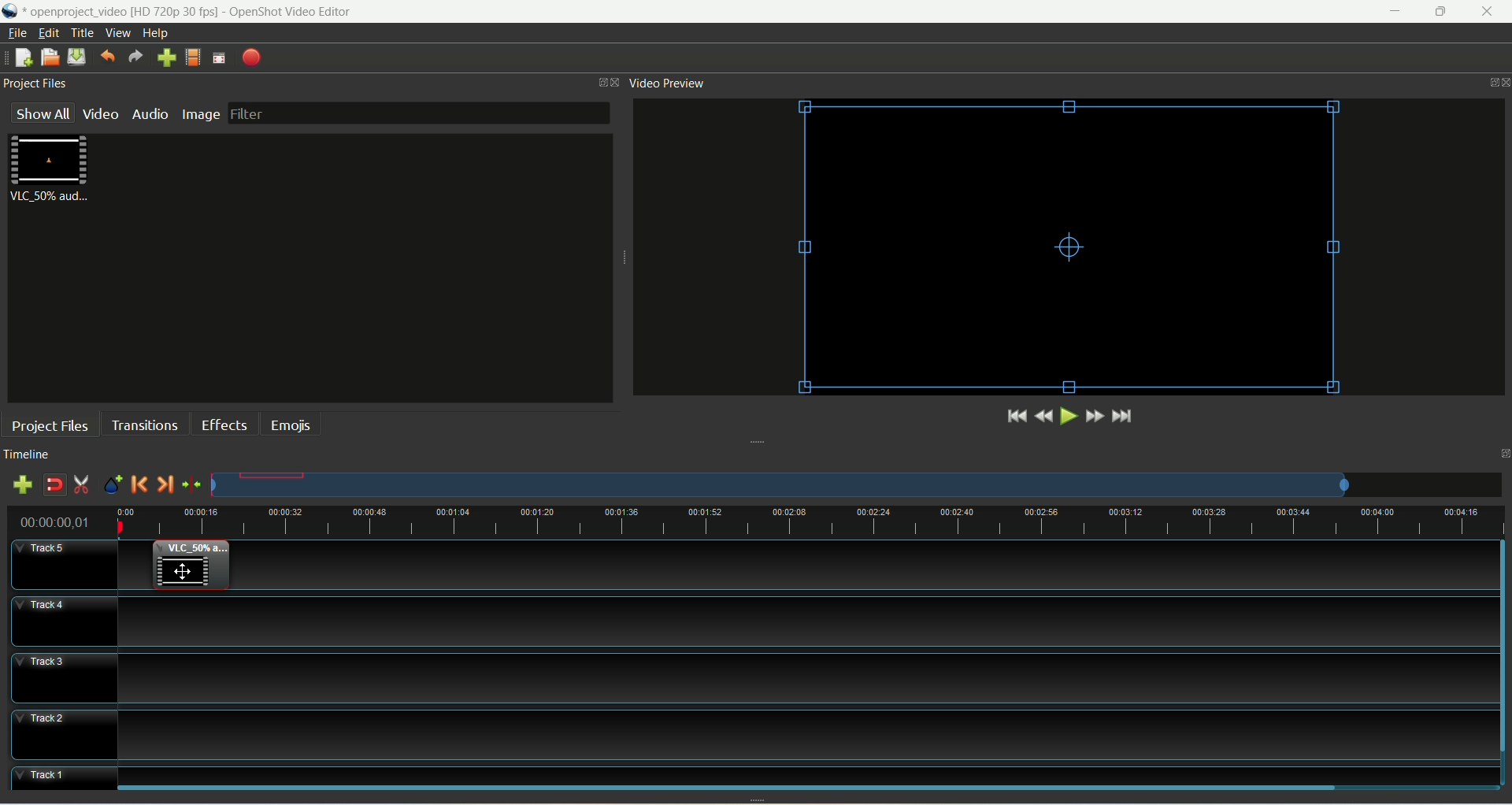  What do you see at coordinates (669, 84) in the screenshot?
I see `video preview` at bounding box center [669, 84].